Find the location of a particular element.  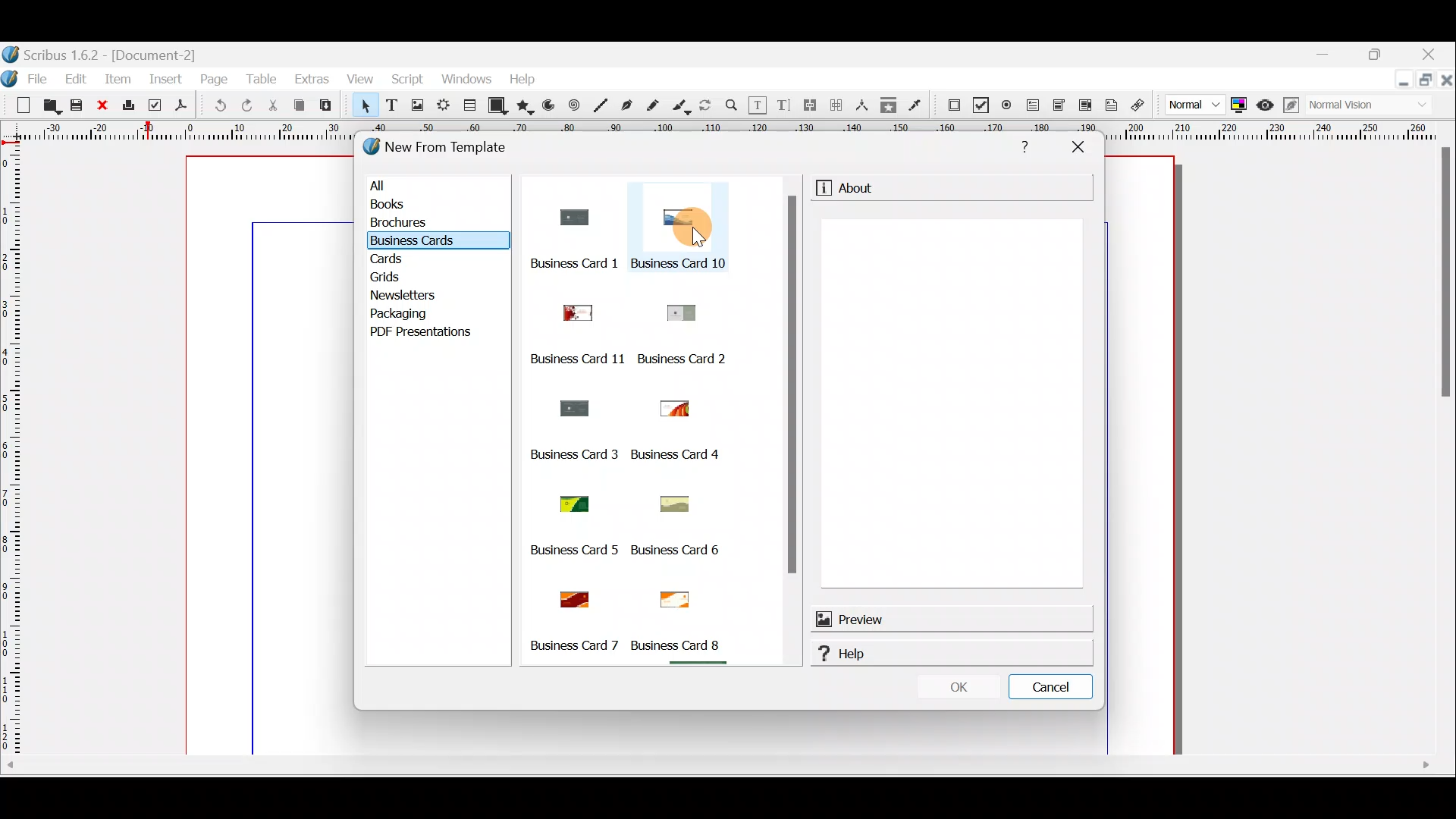

Business Card 2 is located at coordinates (687, 358).